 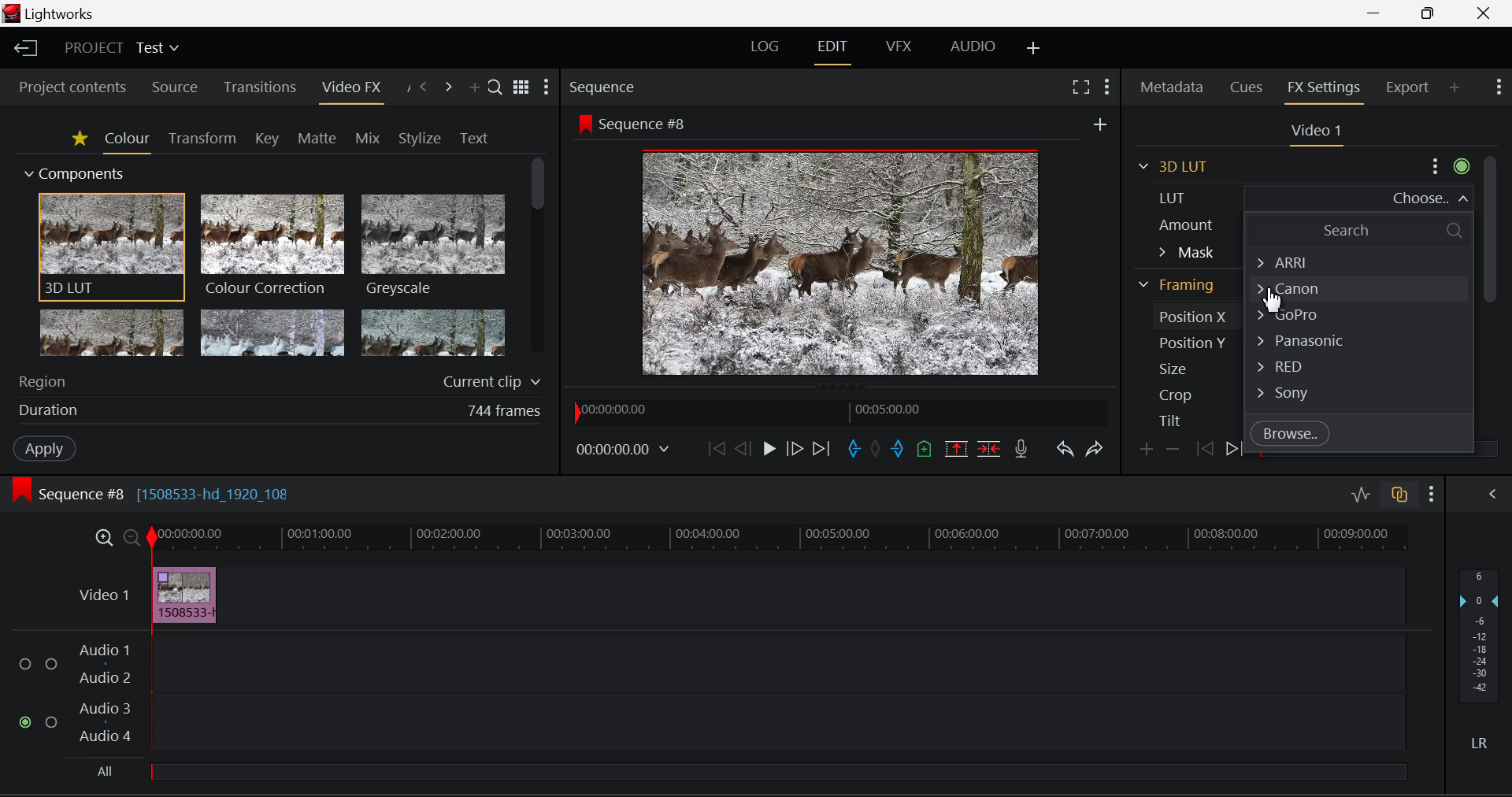 What do you see at coordinates (1180, 287) in the screenshot?
I see `Framing Section` at bounding box center [1180, 287].